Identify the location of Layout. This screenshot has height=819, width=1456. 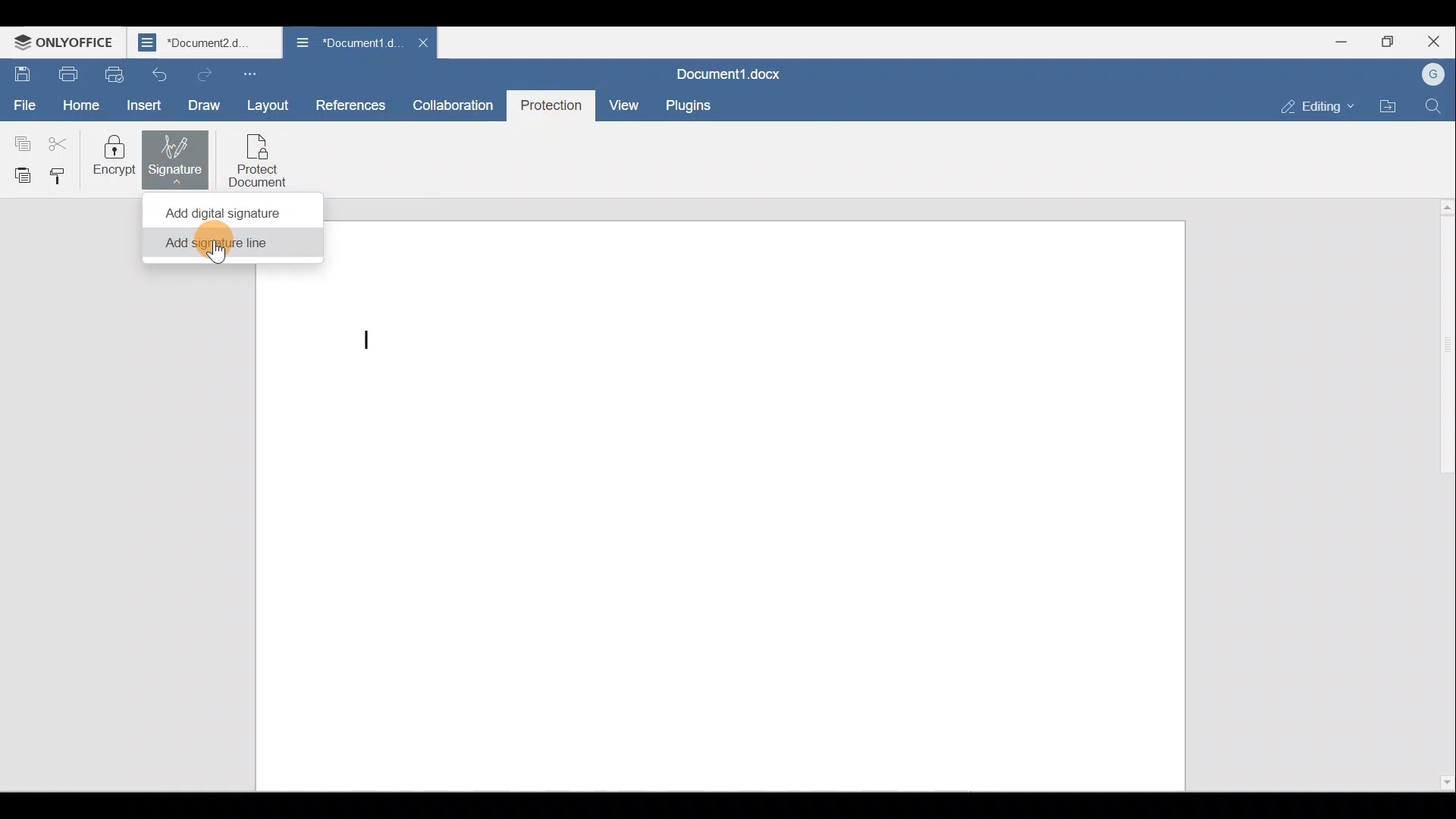
(265, 102).